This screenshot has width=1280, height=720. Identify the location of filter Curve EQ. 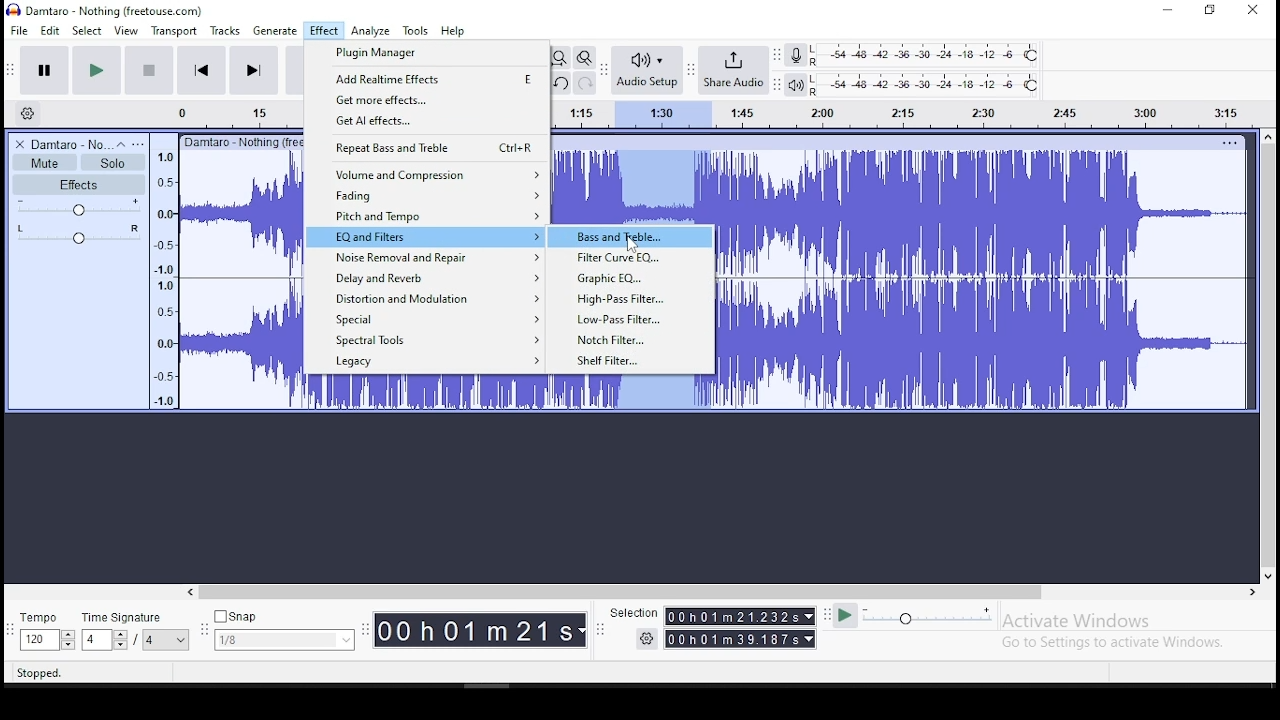
(631, 258).